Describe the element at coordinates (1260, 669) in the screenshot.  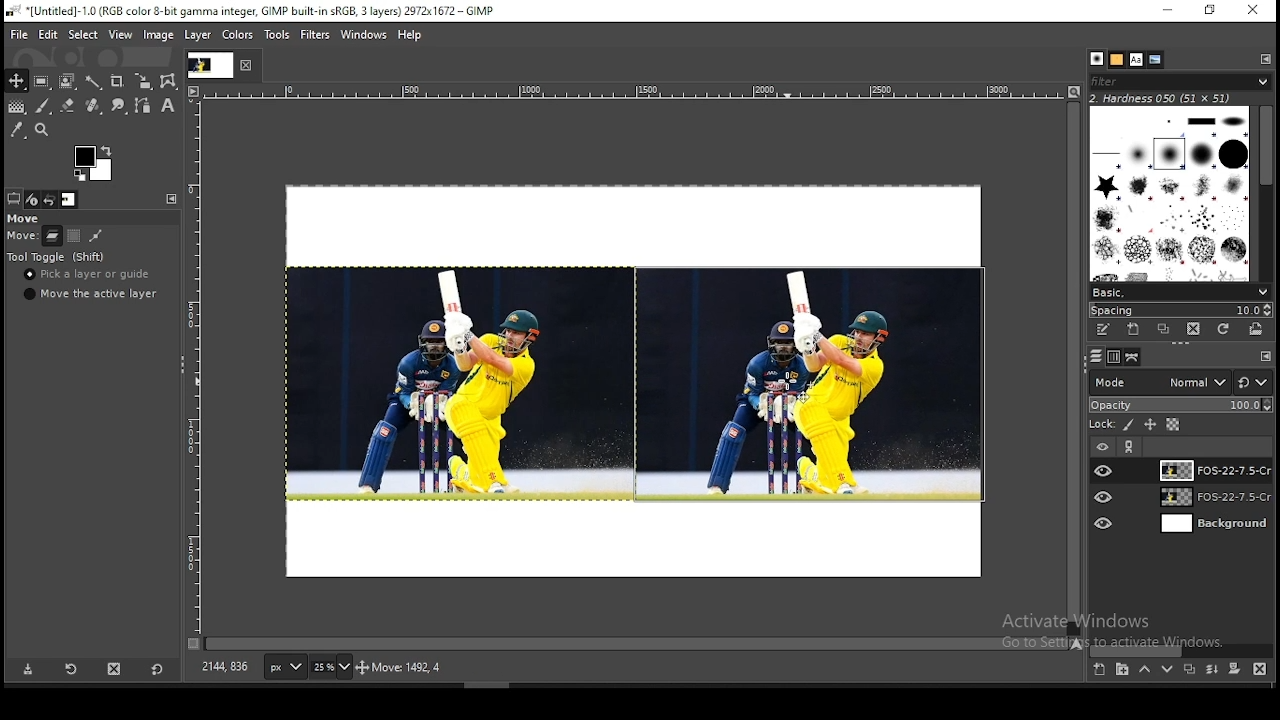
I see `delete layer` at that location.